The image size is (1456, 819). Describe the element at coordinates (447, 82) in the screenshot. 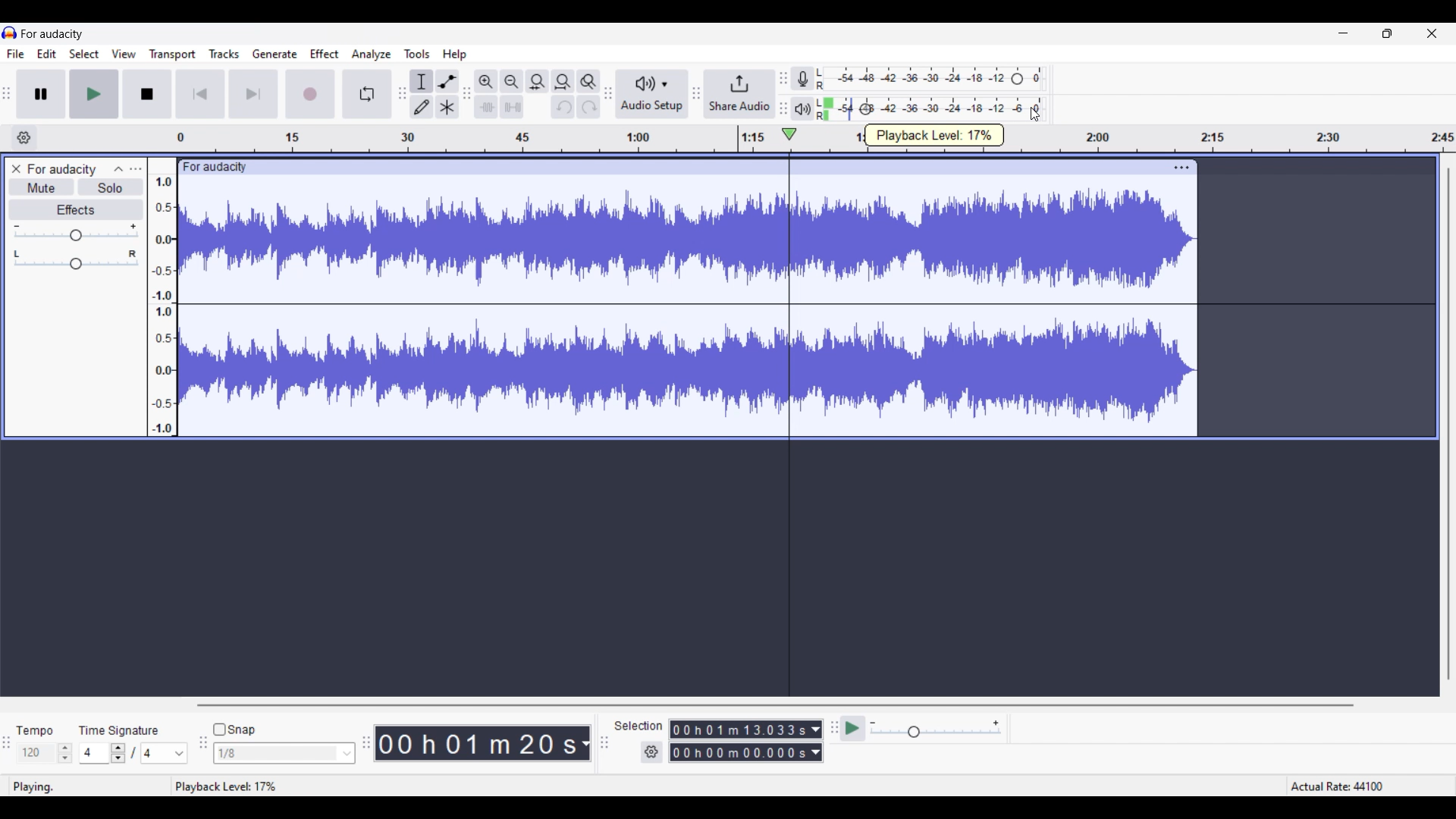

I see `Envelop tool` at that location.